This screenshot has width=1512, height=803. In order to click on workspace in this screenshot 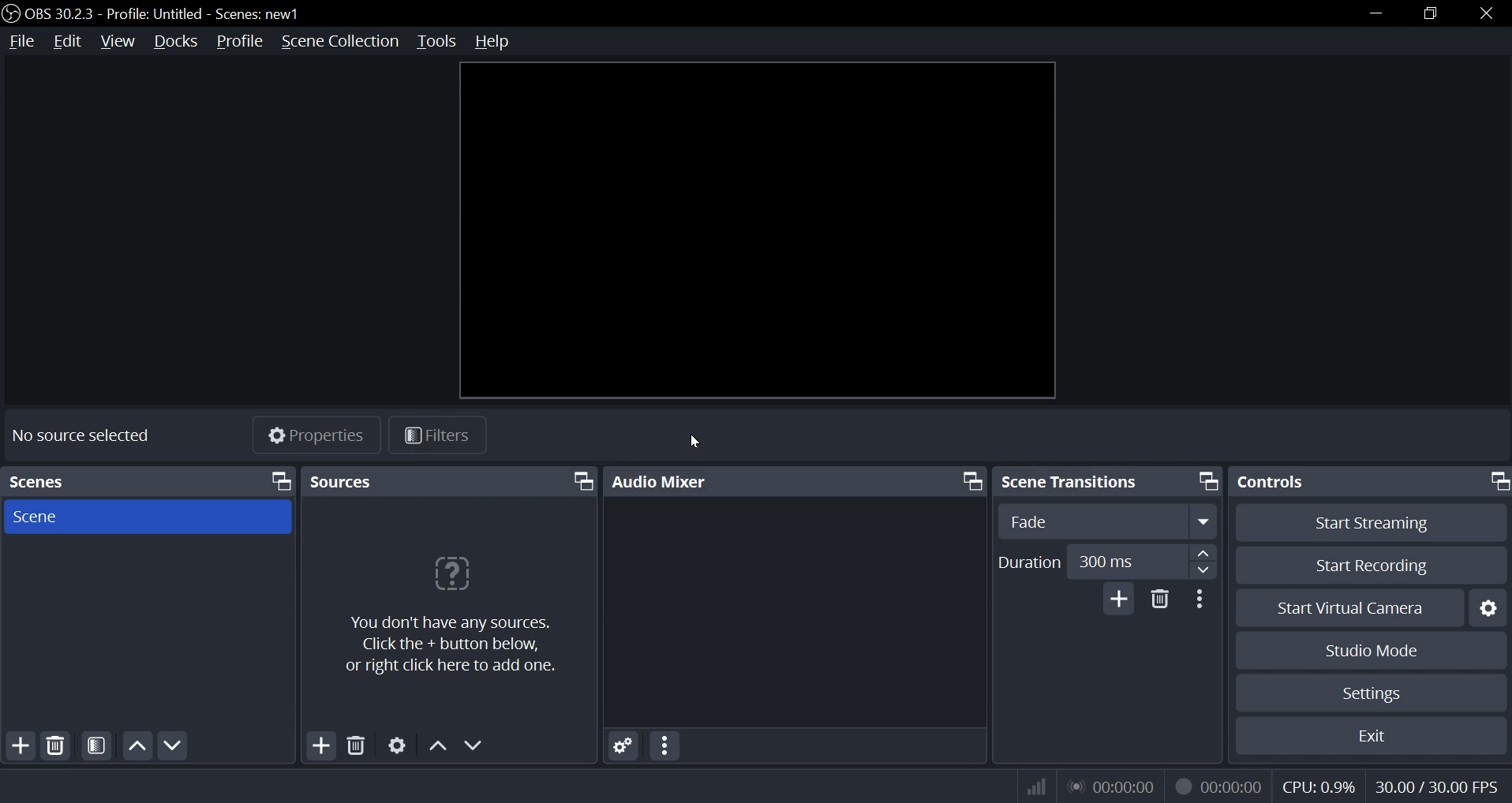, I will do `click(756, 233)`.